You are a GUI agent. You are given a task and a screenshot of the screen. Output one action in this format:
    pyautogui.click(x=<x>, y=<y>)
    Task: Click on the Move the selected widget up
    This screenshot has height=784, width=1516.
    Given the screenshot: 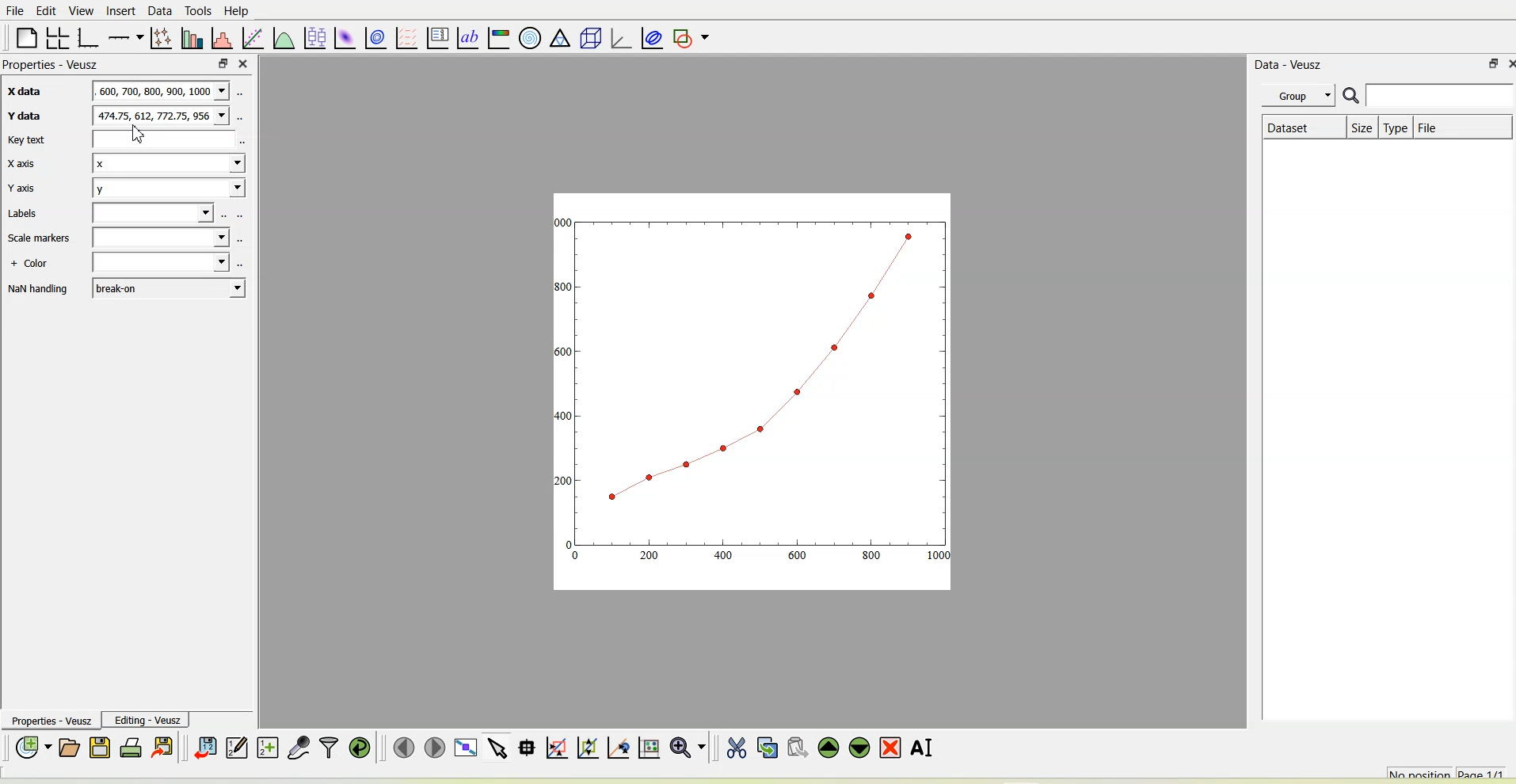 What is the action you would take?
    pyautogui.click(x=829, y=748)
    